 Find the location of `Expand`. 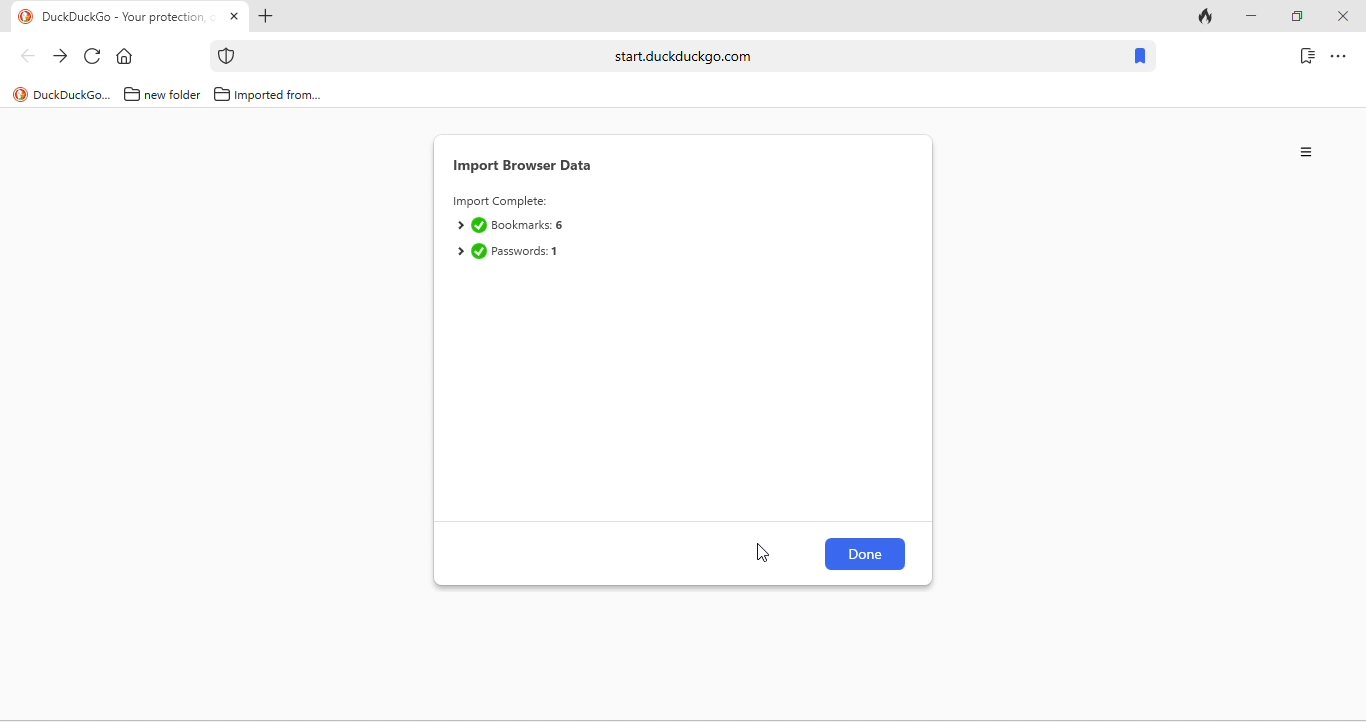

Expand is located at coordinates (459, 252).